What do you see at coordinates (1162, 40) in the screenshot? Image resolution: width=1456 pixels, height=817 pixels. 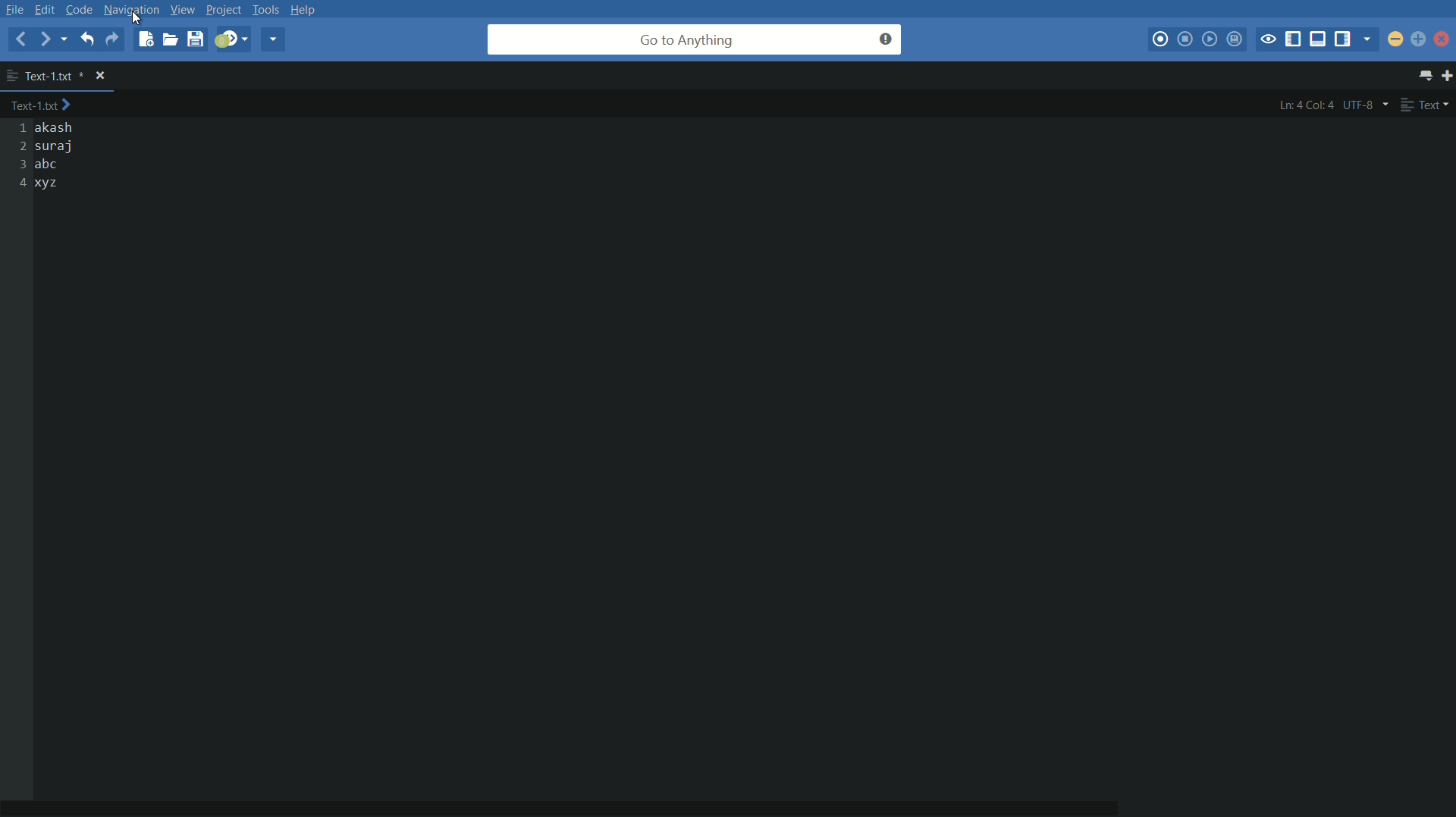 I see `start macro` at bounding box center [1162, 40].